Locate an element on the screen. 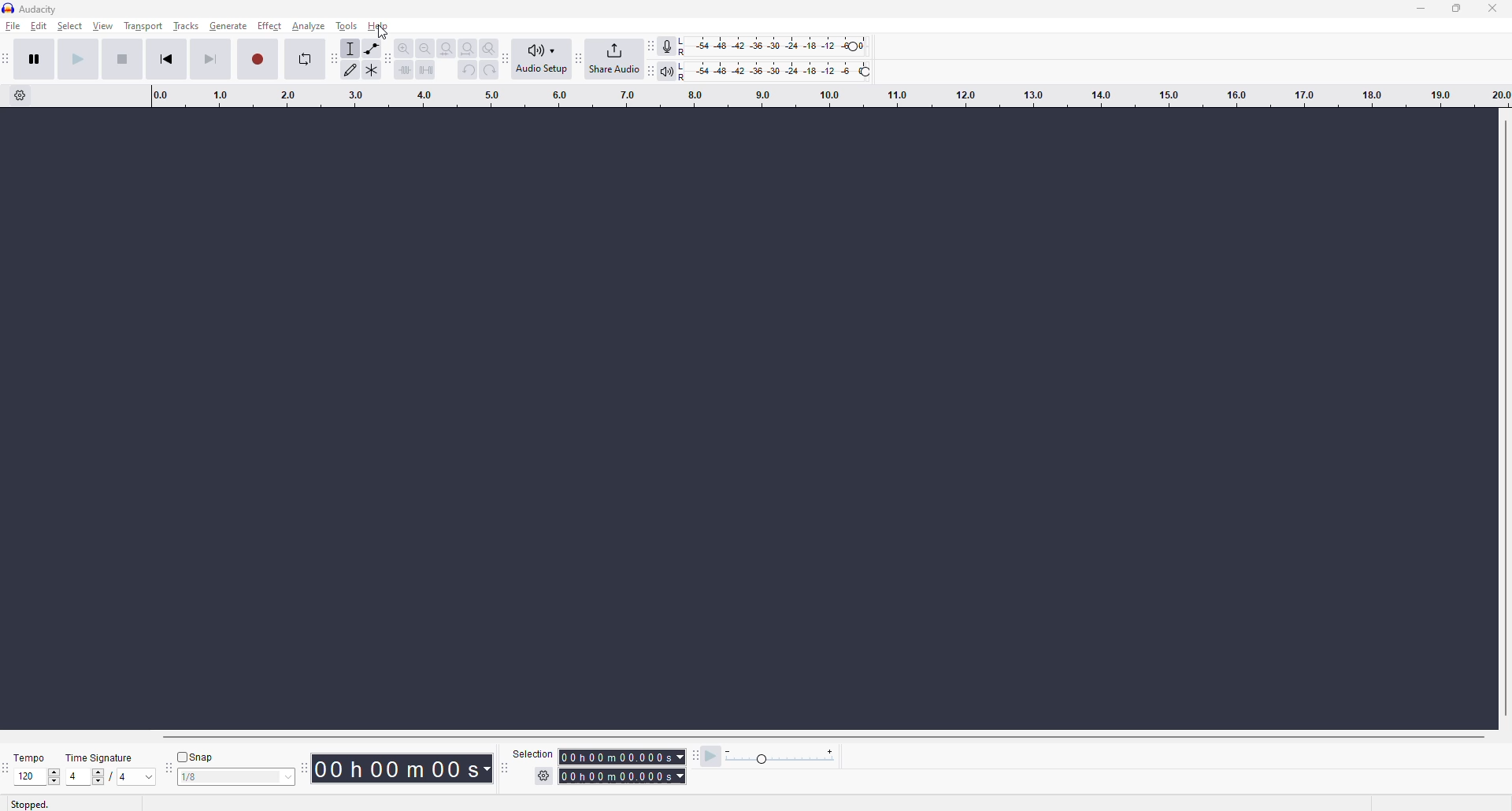  setting is located at coordinates (539, 771).